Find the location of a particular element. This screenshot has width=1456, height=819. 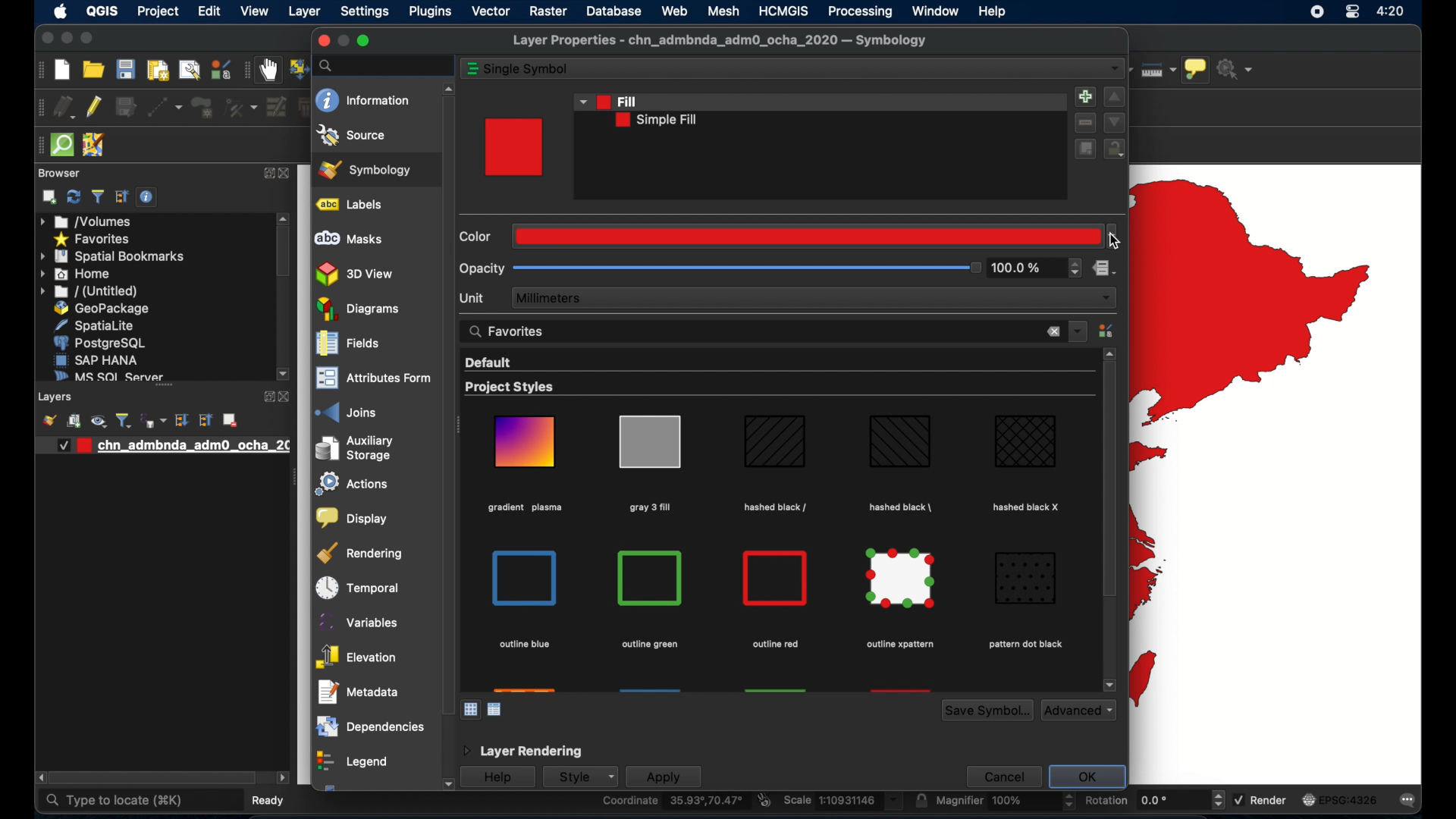

mesh is located at coordinates (723, 11).